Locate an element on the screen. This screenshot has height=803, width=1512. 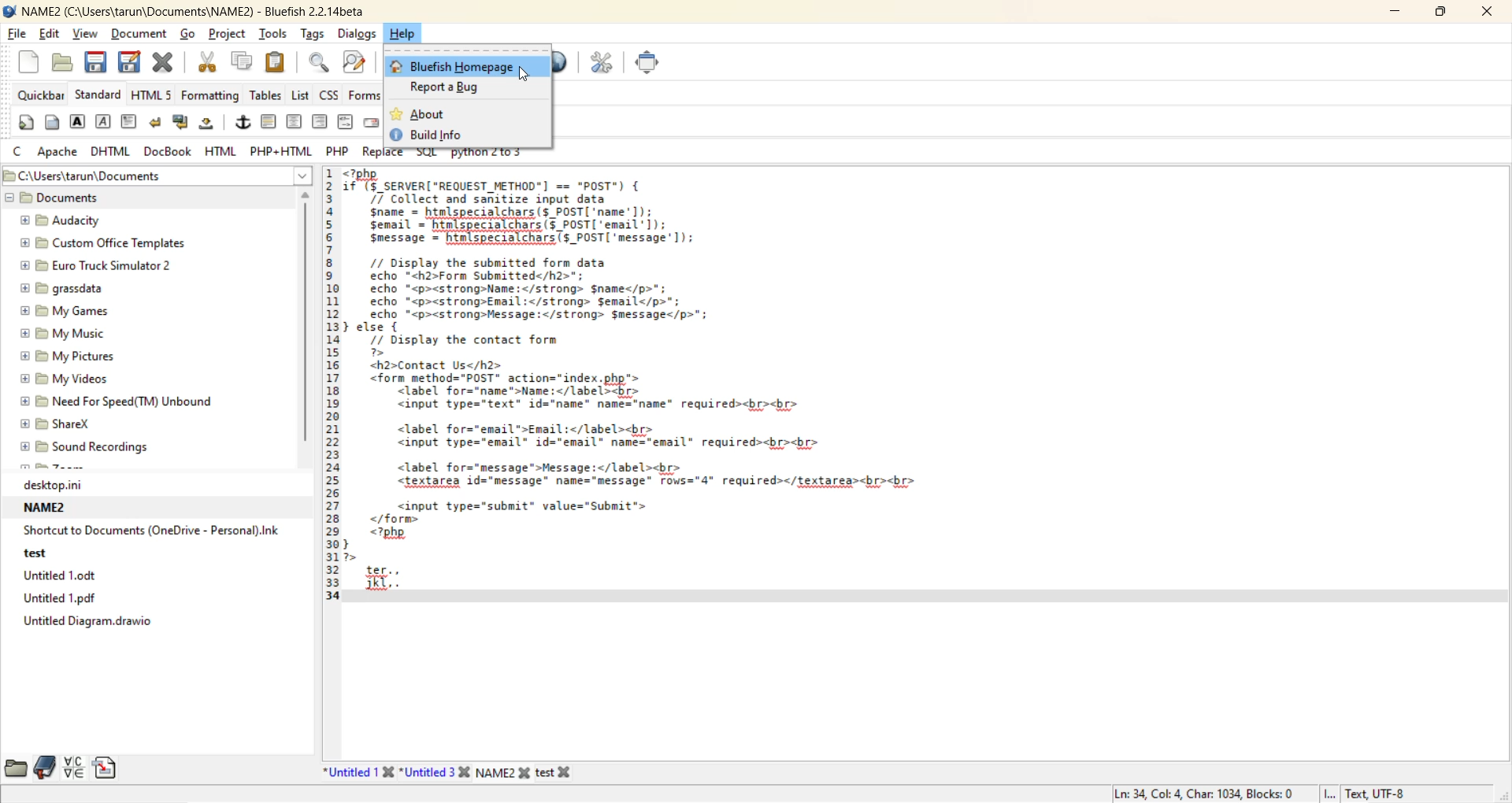
quickstart is located at coordinates (28, 123).